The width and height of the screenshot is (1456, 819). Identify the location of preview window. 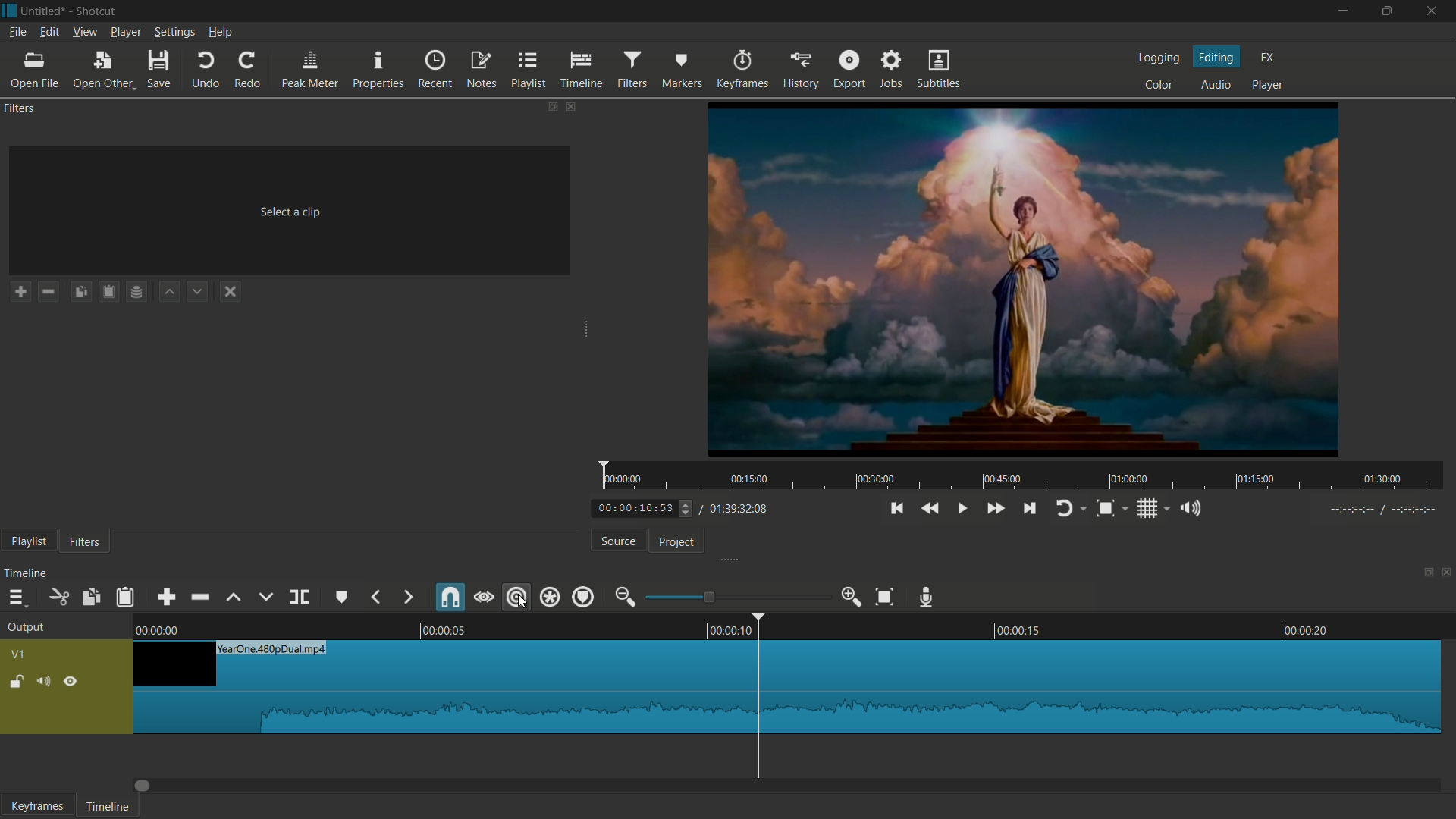
(1025, 279).